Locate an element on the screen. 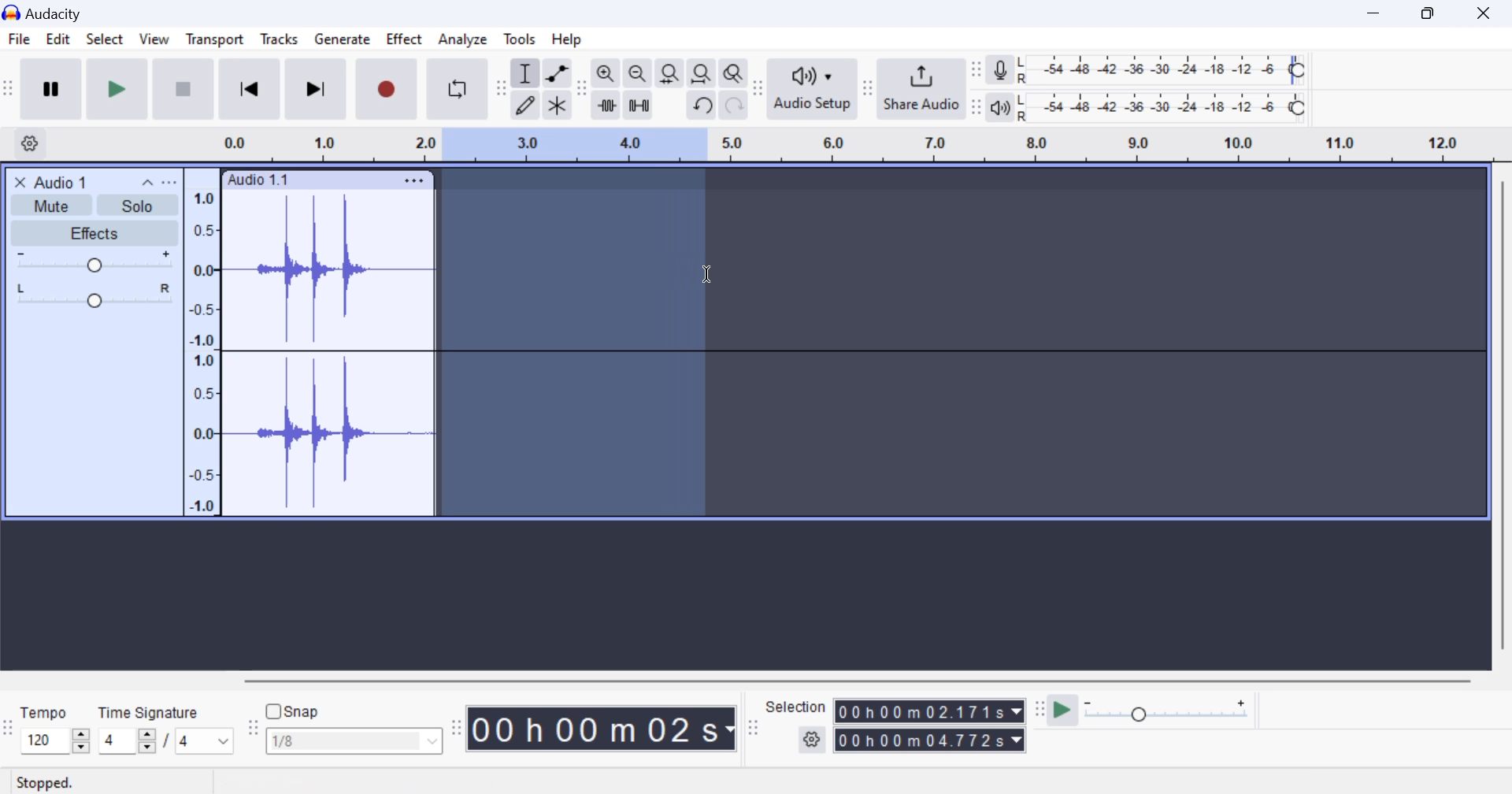 The width and height of the screenshot is (1512, 794). draw tool is located at coordinates (525, 106).